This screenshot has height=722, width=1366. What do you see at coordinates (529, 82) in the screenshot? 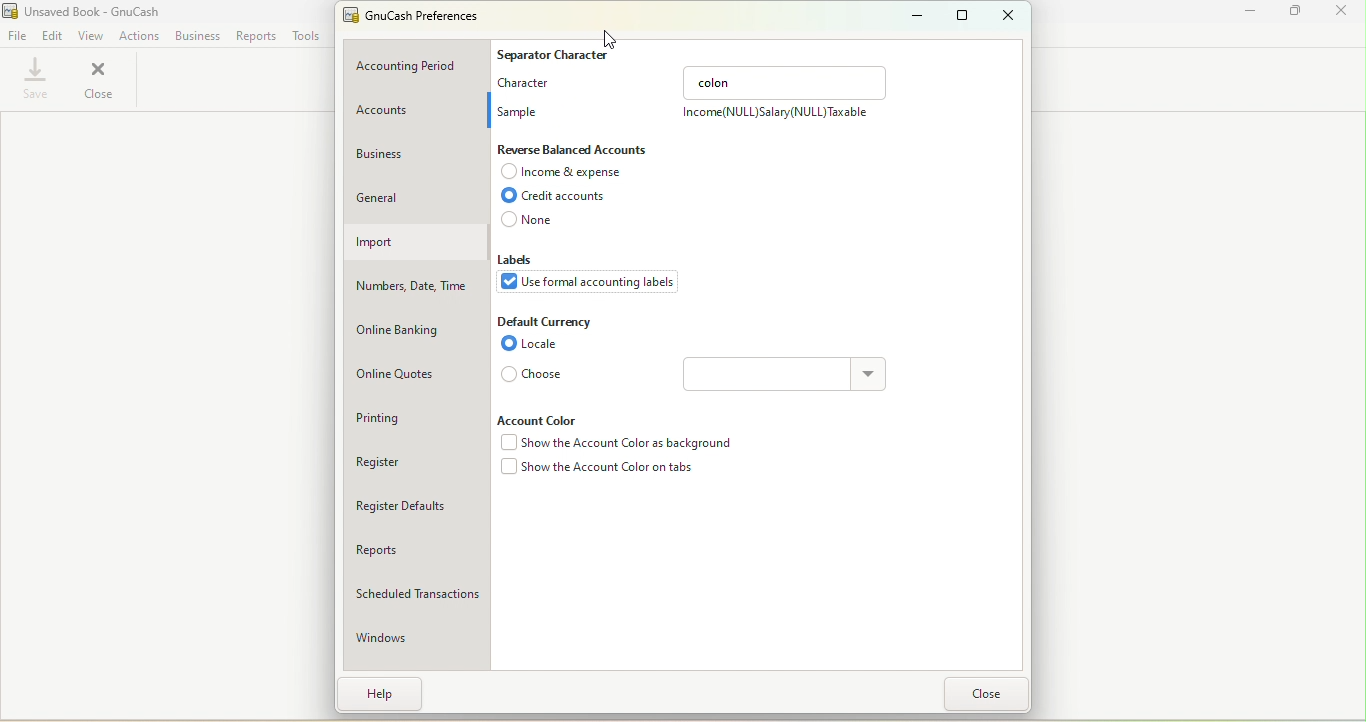
I see `Character` at bounding box center [529, 82].